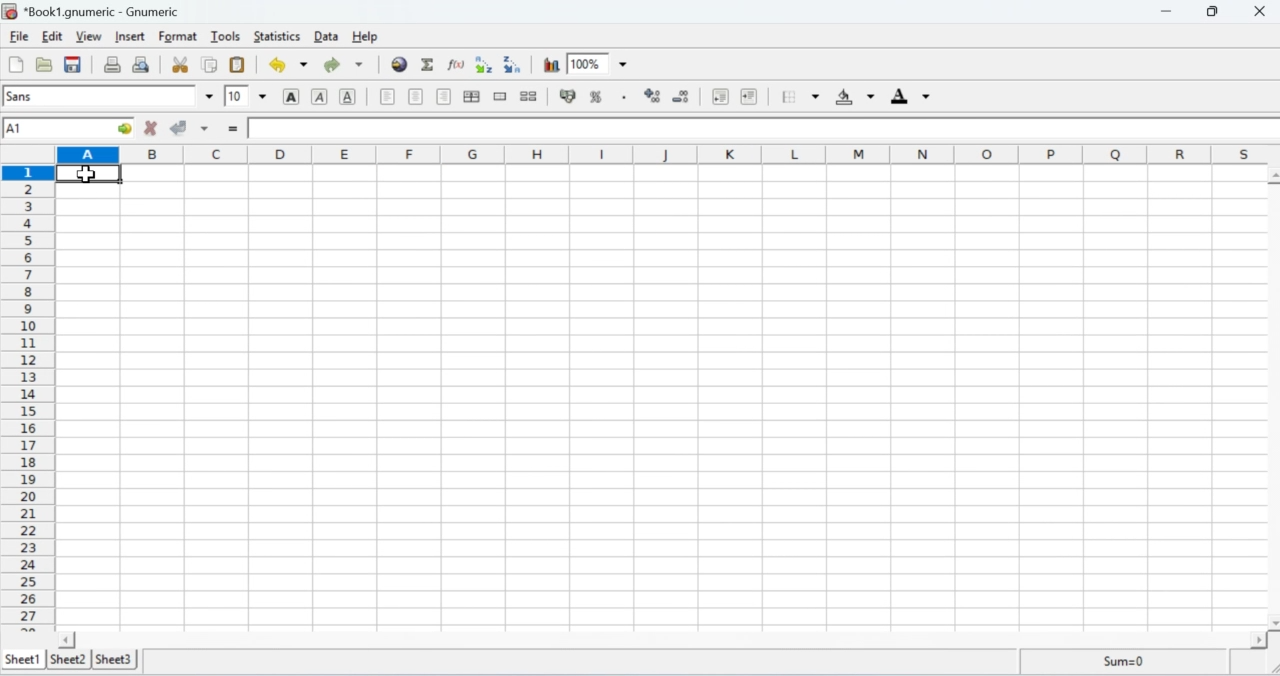 The height and width of the screenshot is (676, 1280). What do you see at coordinates (142, 65) in the screenshot?
I see `Print preview` at bounding box center [142, 65].